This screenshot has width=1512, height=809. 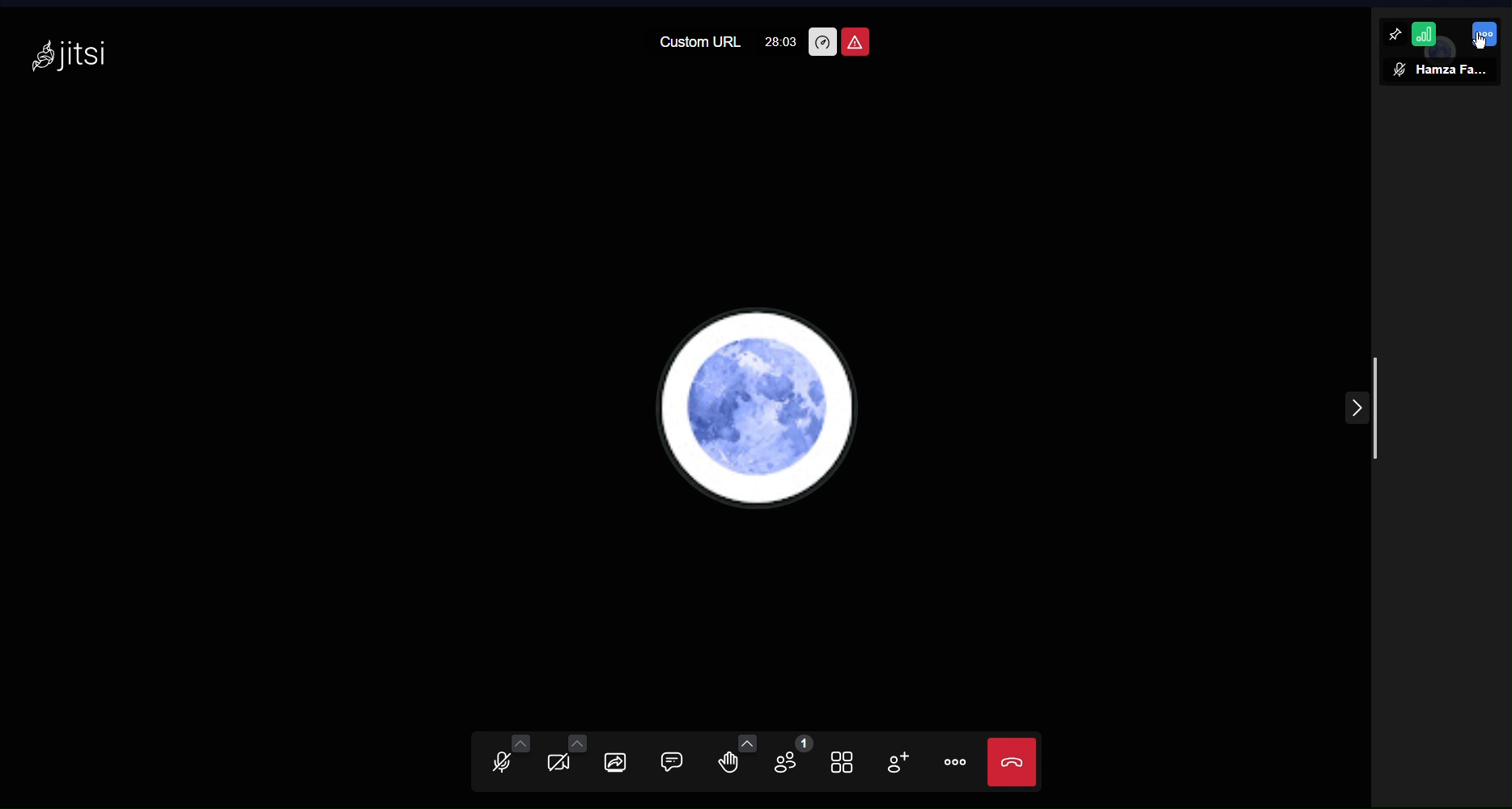 What do you see at coordinates (699, 44) in the screenshot?
I see `Custom URL` at bounding box center [699, 44].